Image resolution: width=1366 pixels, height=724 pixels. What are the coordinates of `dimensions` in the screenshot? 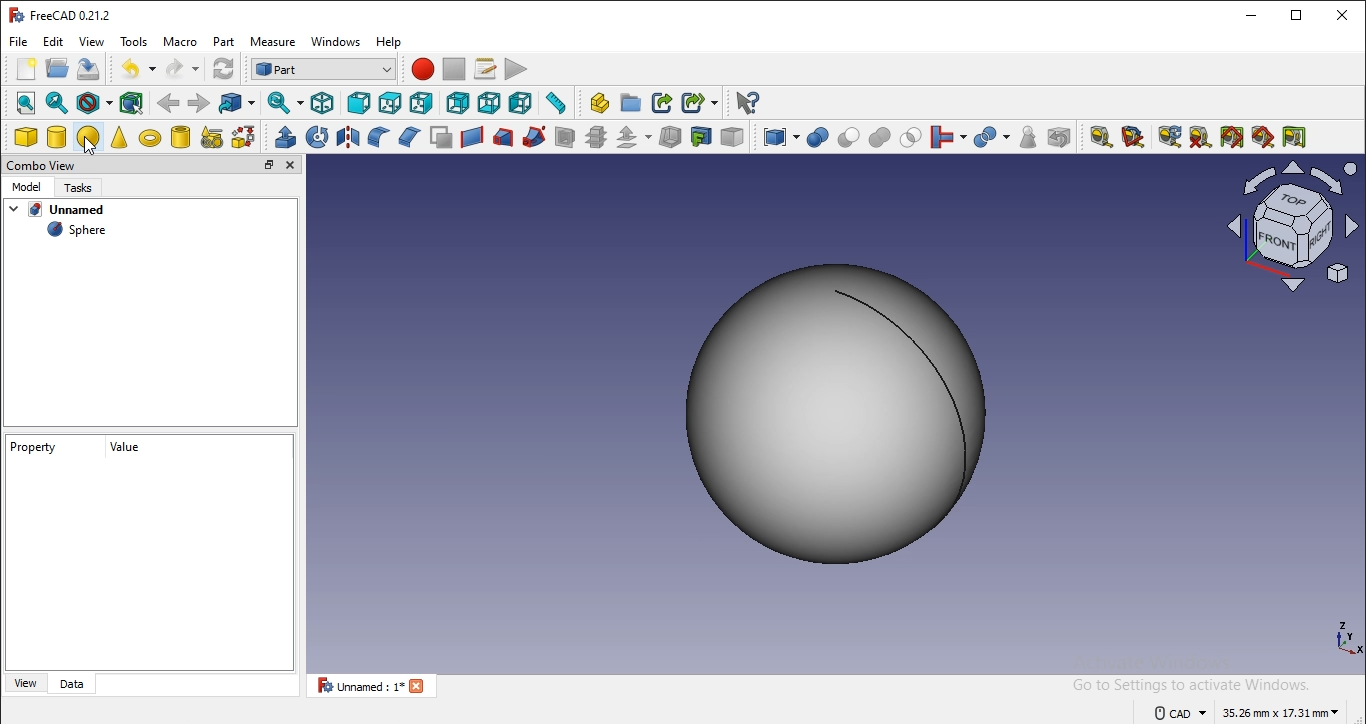 It's located at (1246, 710).